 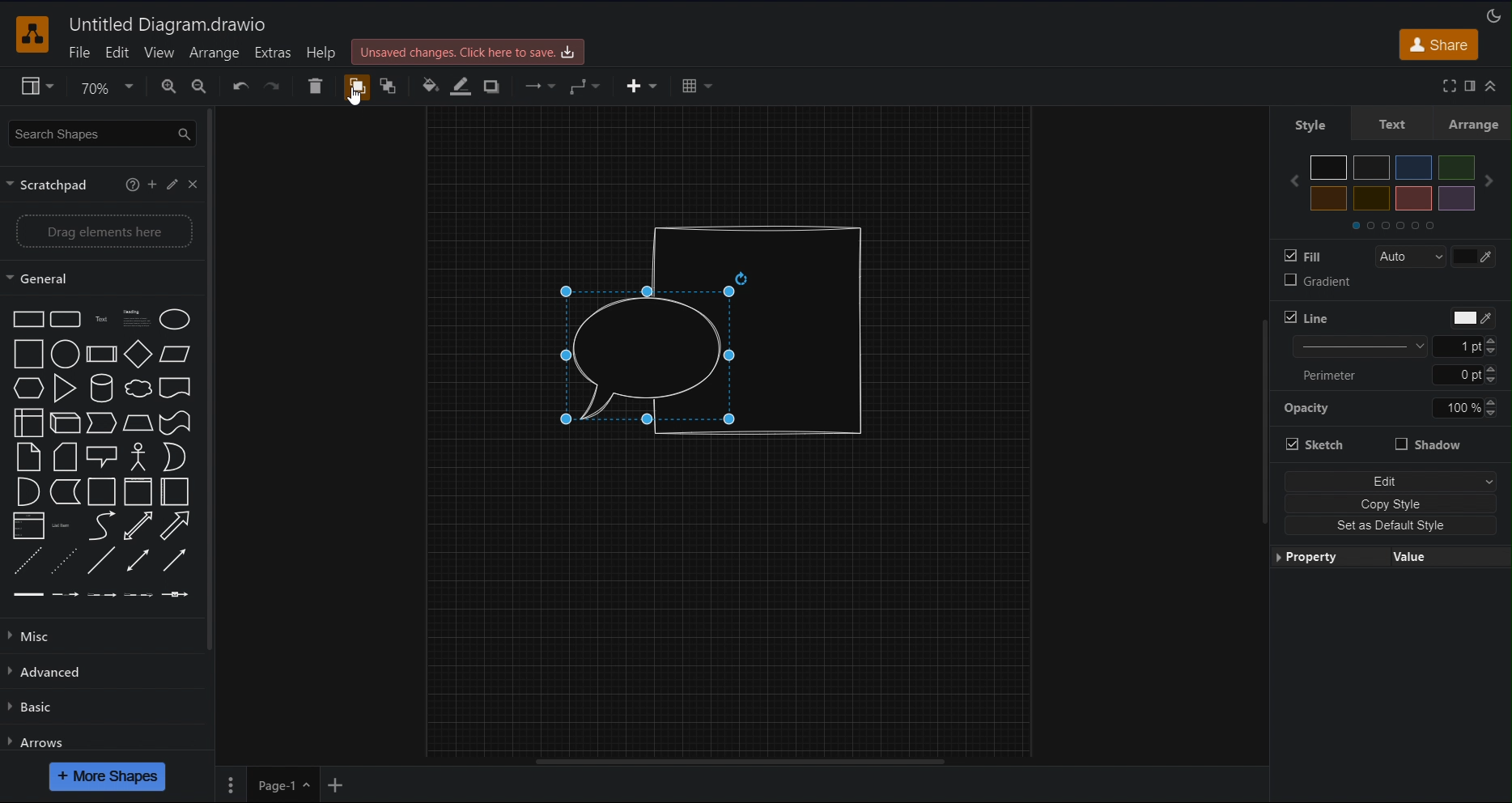 What do you see at coordinates (138, 594) in the screenshot?
I see `Connector with 3 labels` at bounding box center [138, 594].